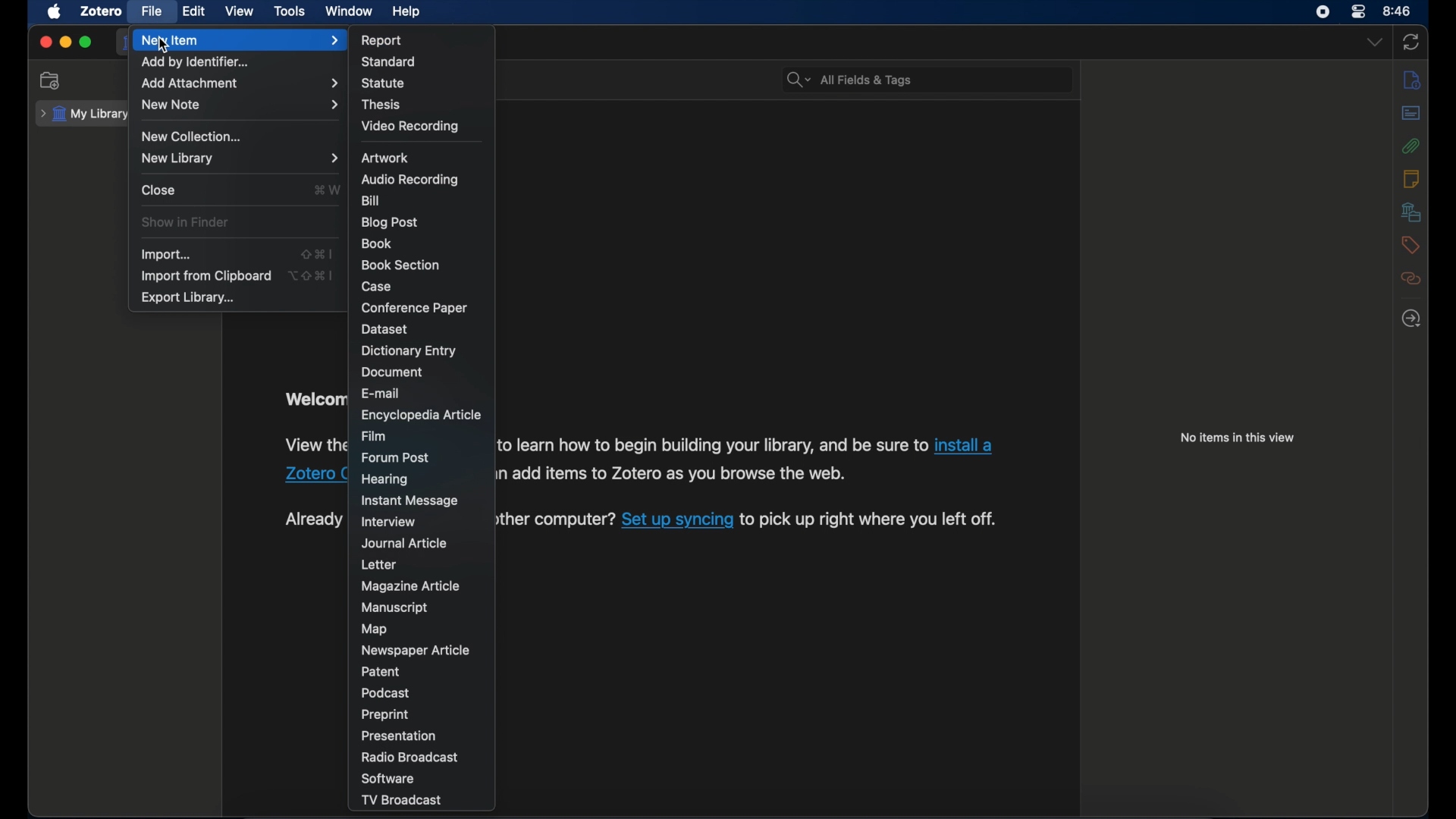  Describe the element at coordinates (81, 114) in the screenshot. I see `my library` at that location.